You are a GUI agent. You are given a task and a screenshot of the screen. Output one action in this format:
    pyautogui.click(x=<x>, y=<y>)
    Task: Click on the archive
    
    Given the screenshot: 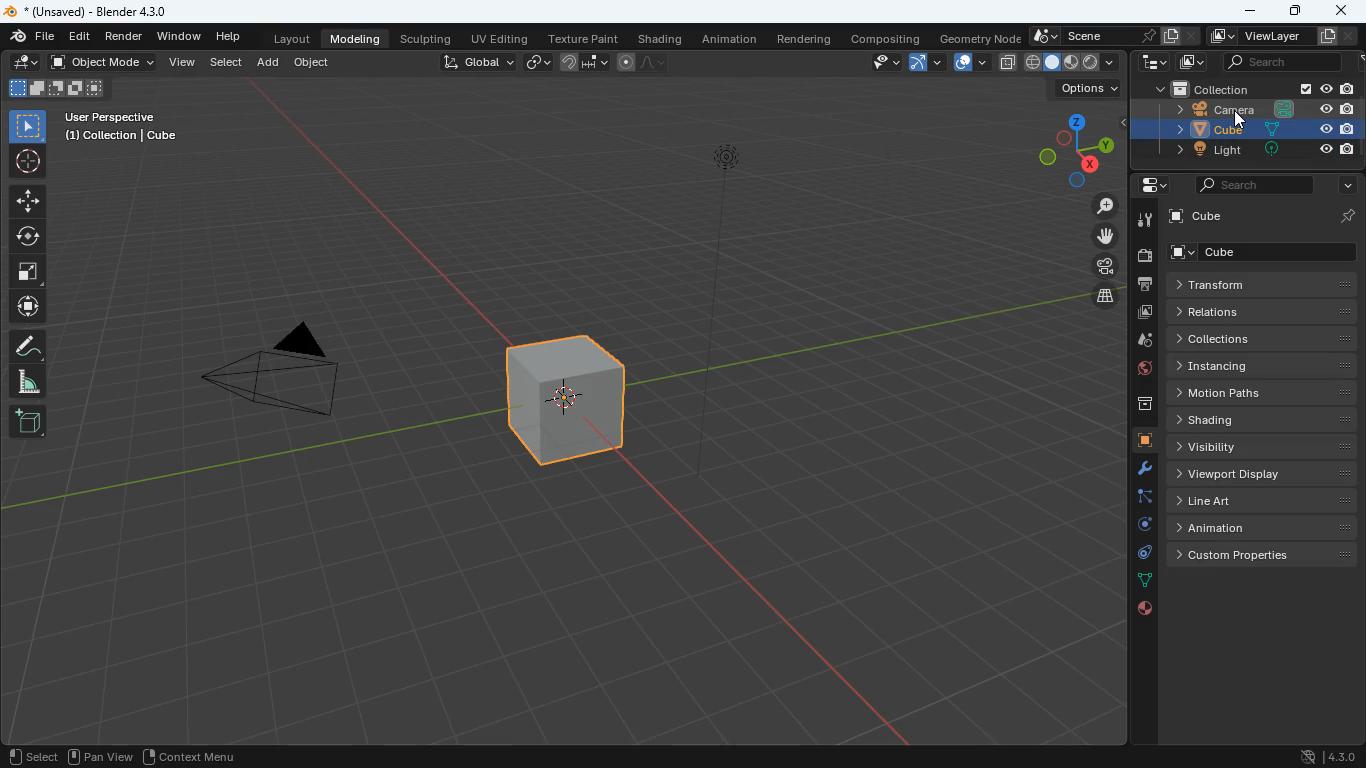 What is the action you would take?
    pyautogui.click(x=1133, y=405)
    